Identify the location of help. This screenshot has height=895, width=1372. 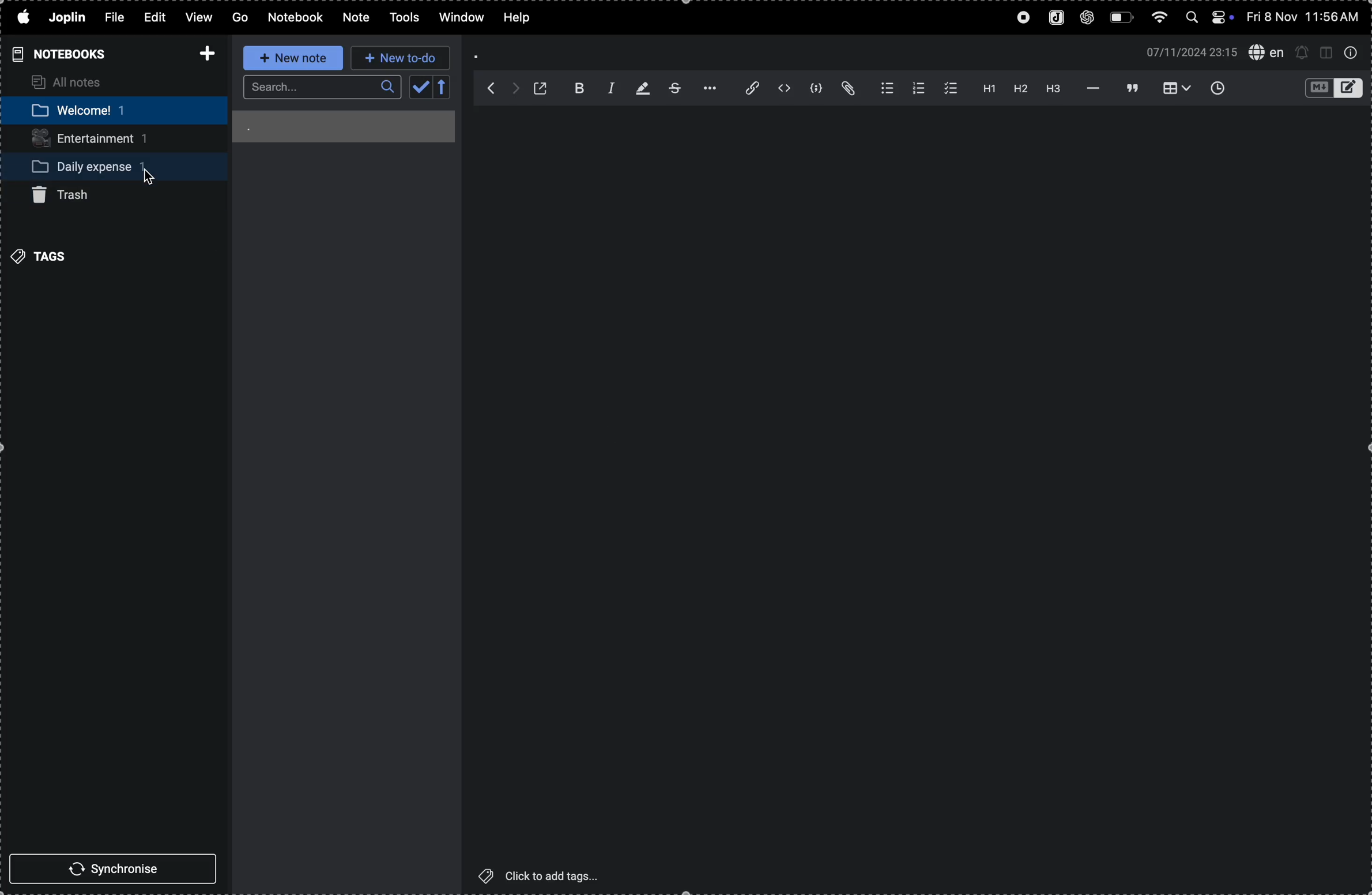
(524, 18).